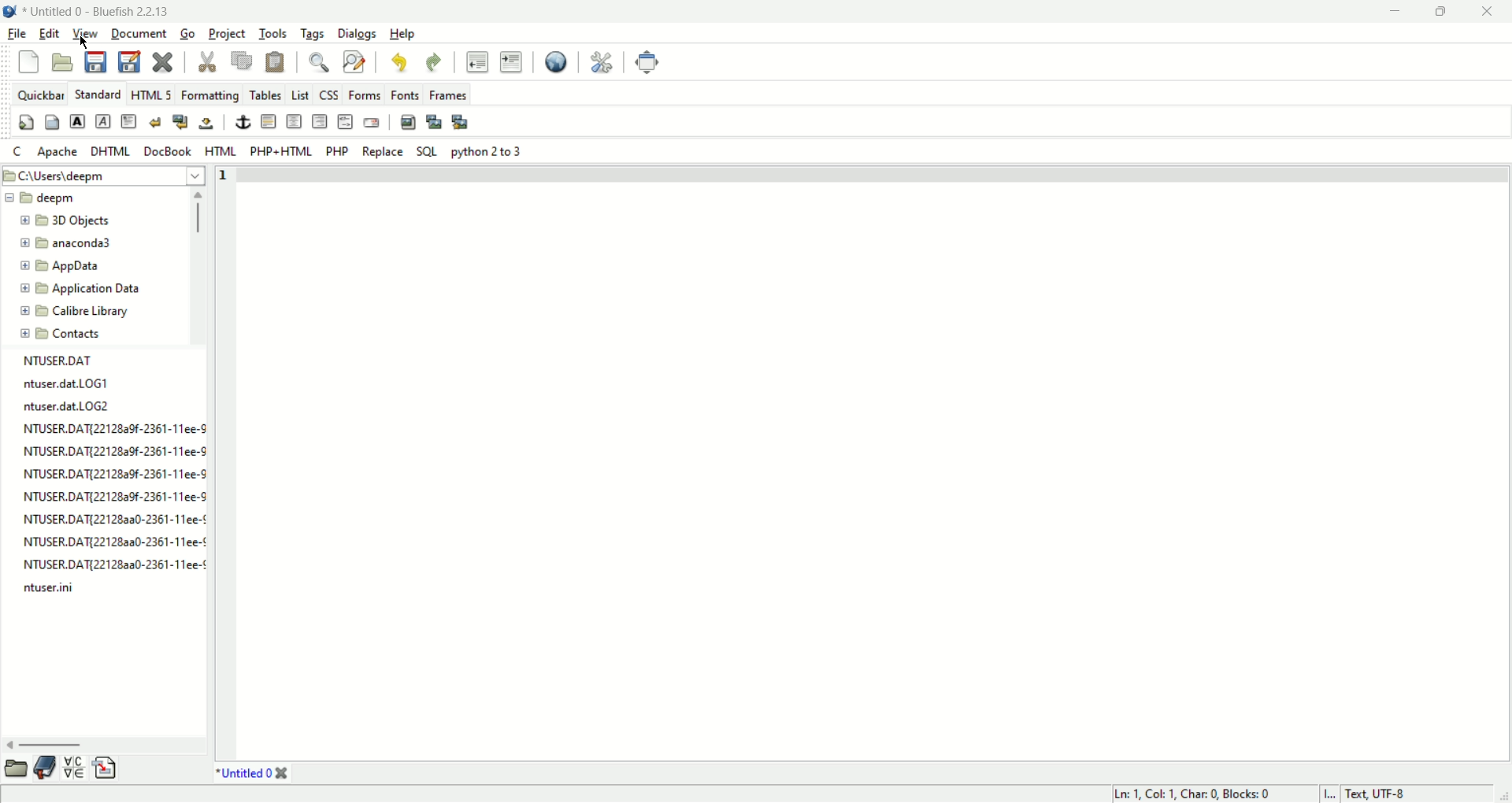 The image size is (1512, 803). Describe the element at coordinates (202, 216) in the screenshot. I see `vertical scroll bar` at that location.